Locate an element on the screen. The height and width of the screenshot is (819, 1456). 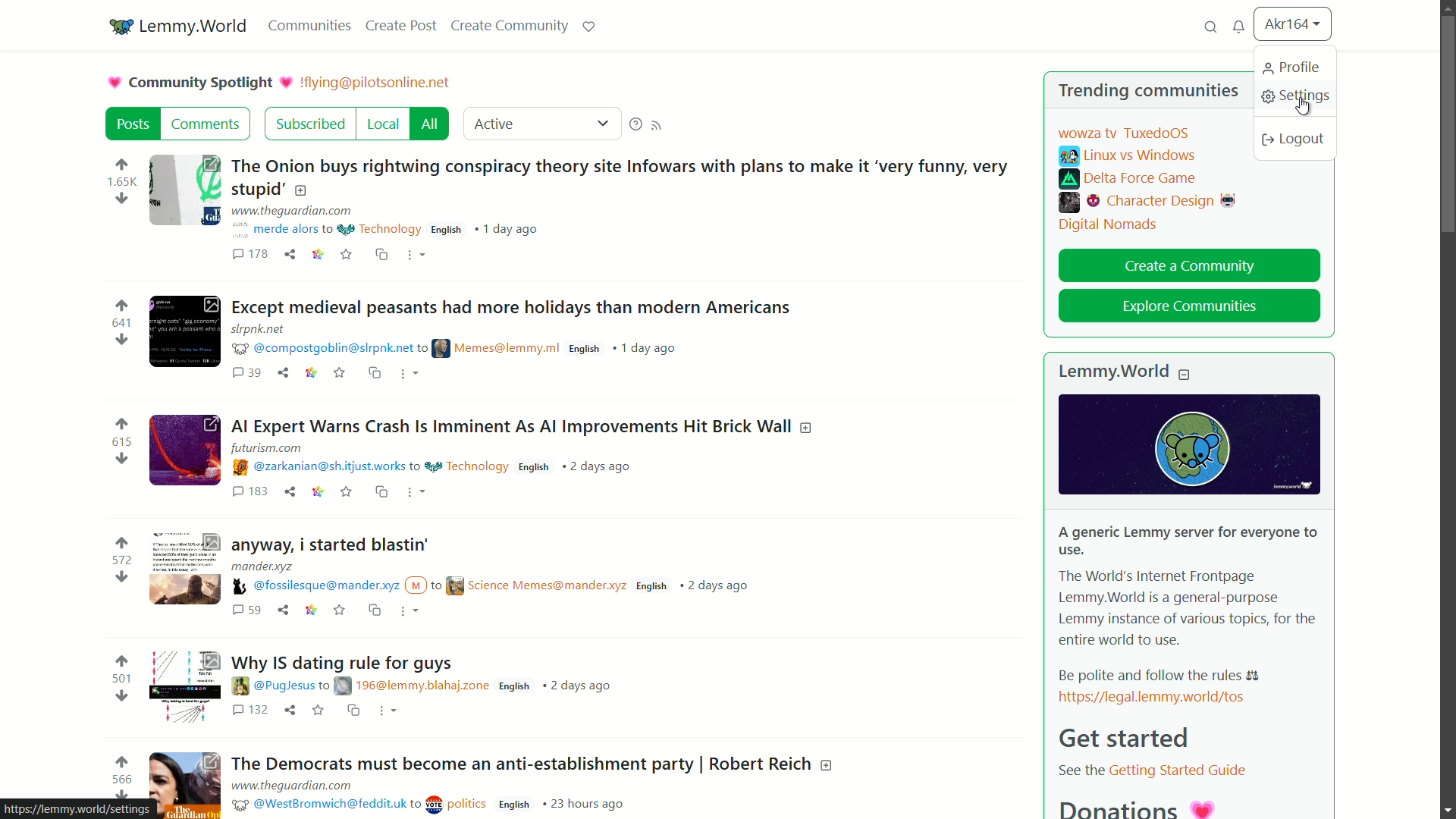
supporting help is located at coordinates (635, 124).